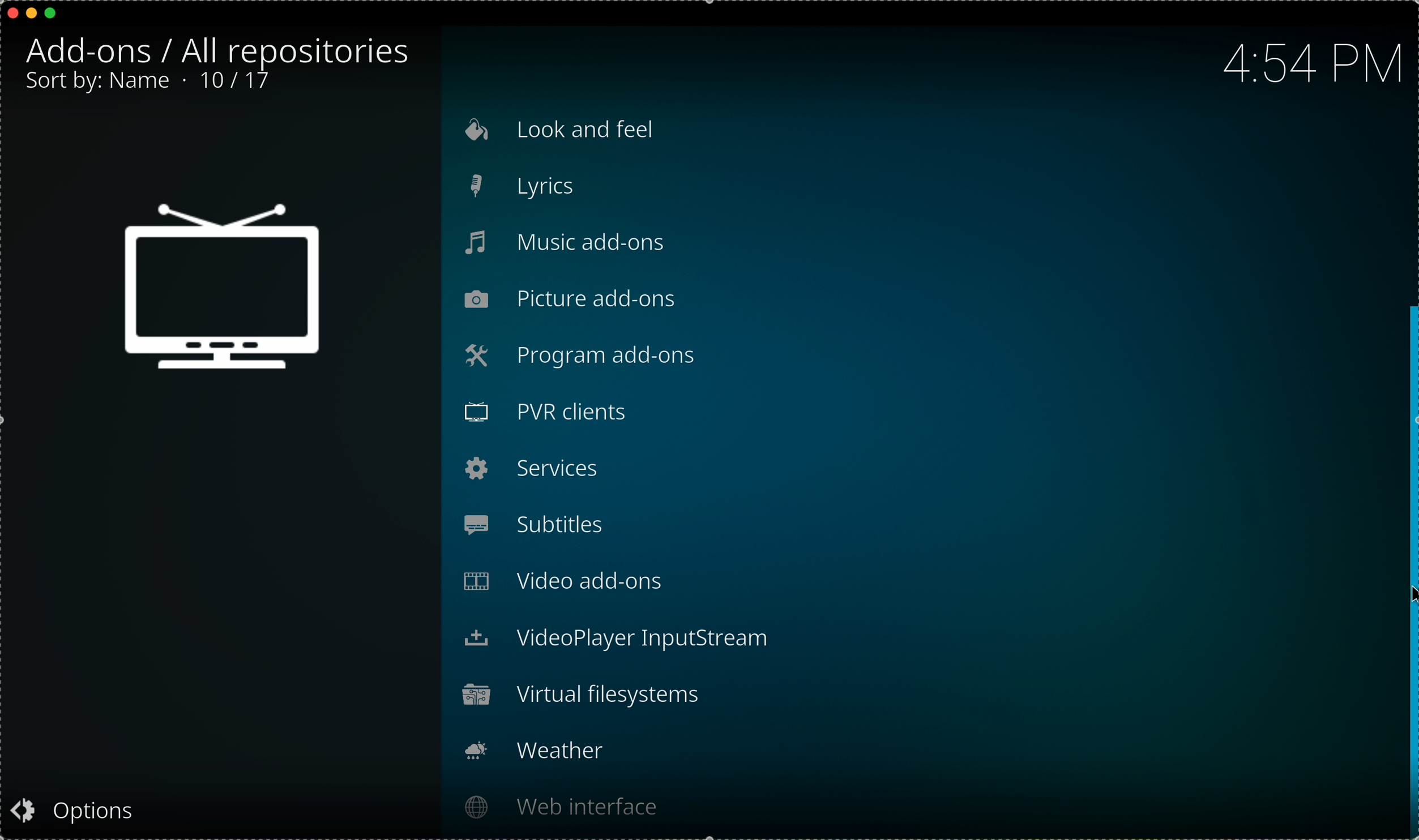  Describe the element at coordinates (583, 696) in the screenshot. I see `virtual filesystems` at that location.